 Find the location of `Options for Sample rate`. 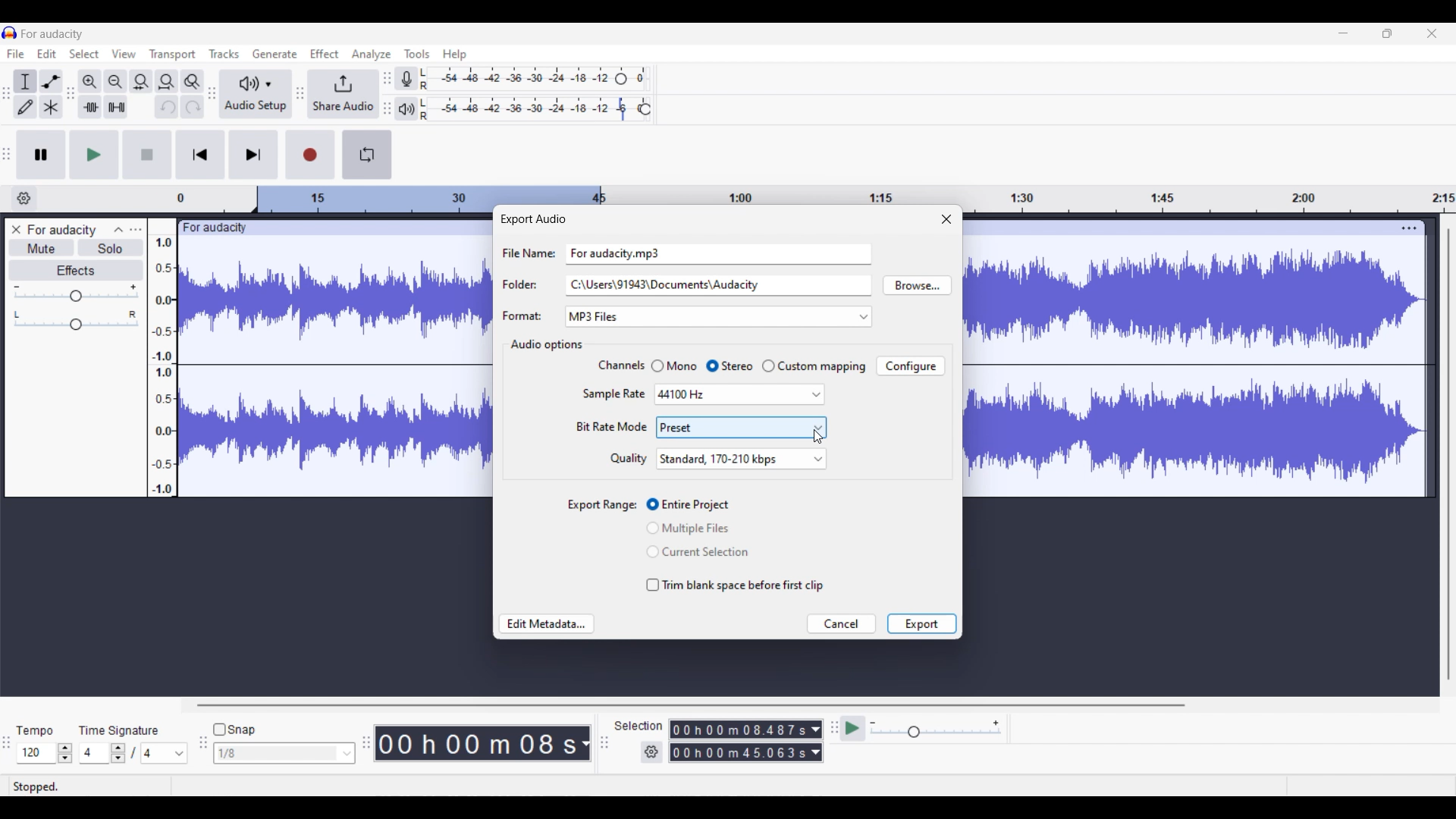

Options for Sample rate is located at coordinates (739, 395).